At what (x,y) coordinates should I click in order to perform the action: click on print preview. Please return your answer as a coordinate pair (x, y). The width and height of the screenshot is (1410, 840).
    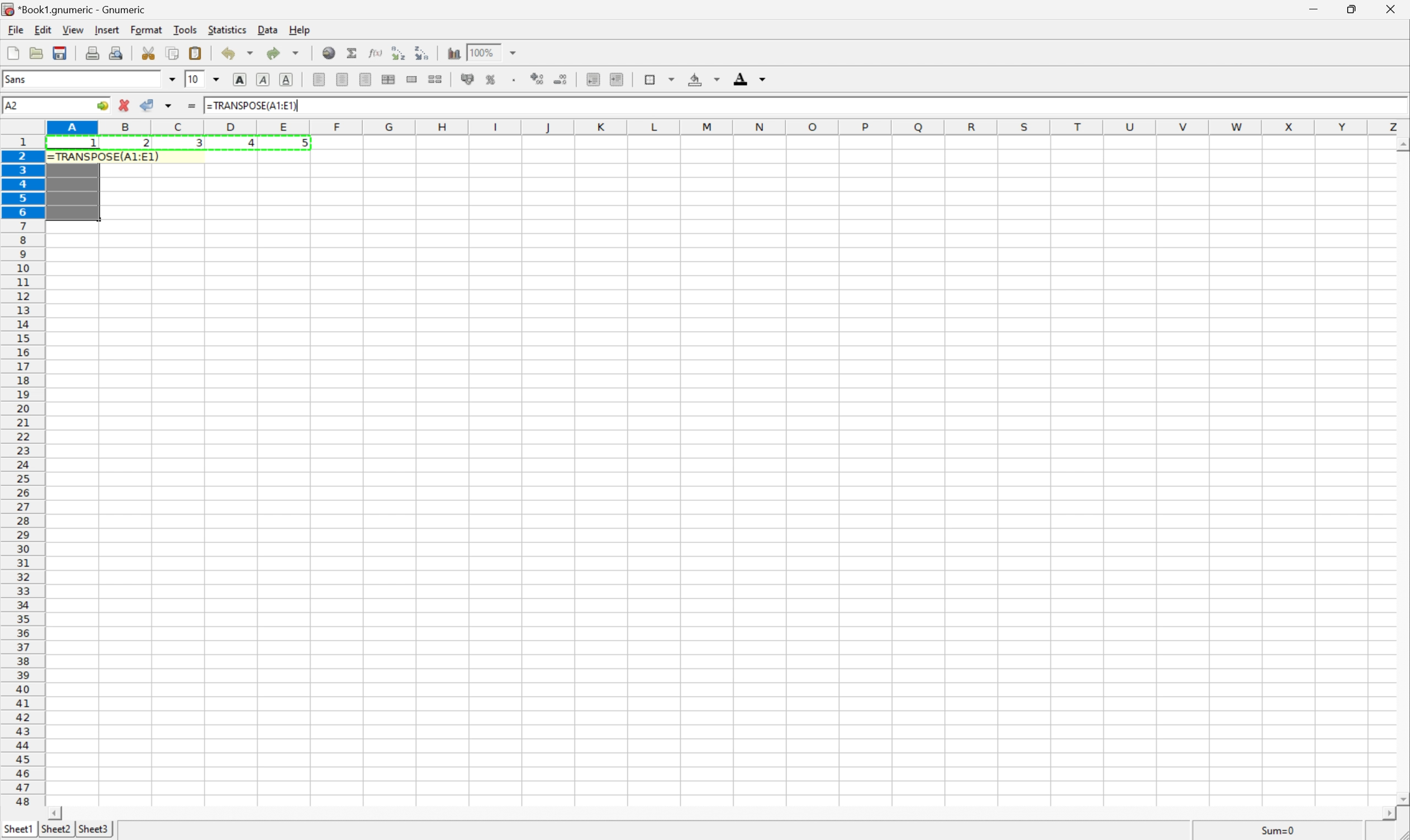
    Looking at the image, I should click on (117, 52).